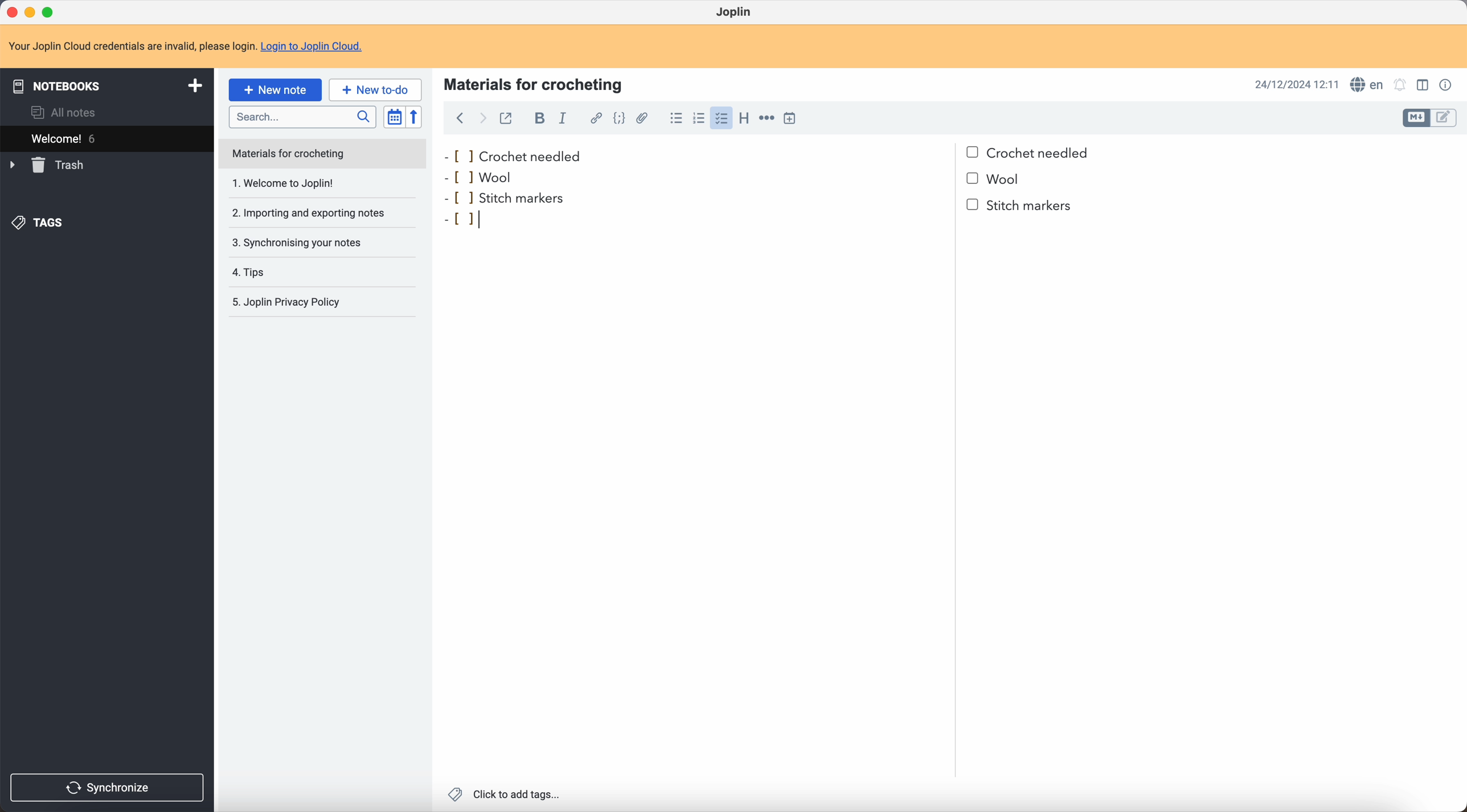 This screenshot has width=1467, height=812. I want to click on italic, so click(565, 118).